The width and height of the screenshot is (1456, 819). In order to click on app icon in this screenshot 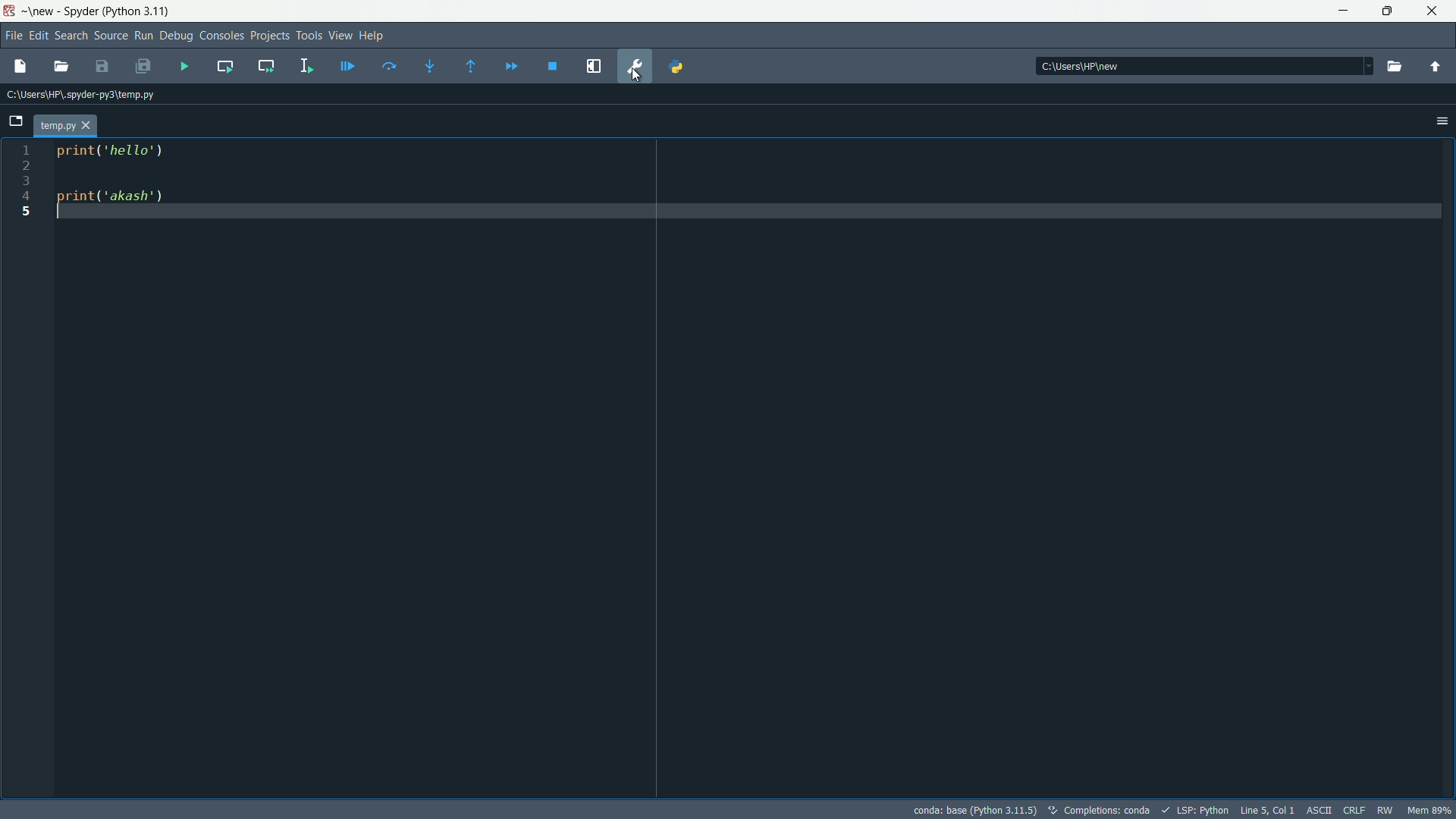, I will do `click(9, 11)`.